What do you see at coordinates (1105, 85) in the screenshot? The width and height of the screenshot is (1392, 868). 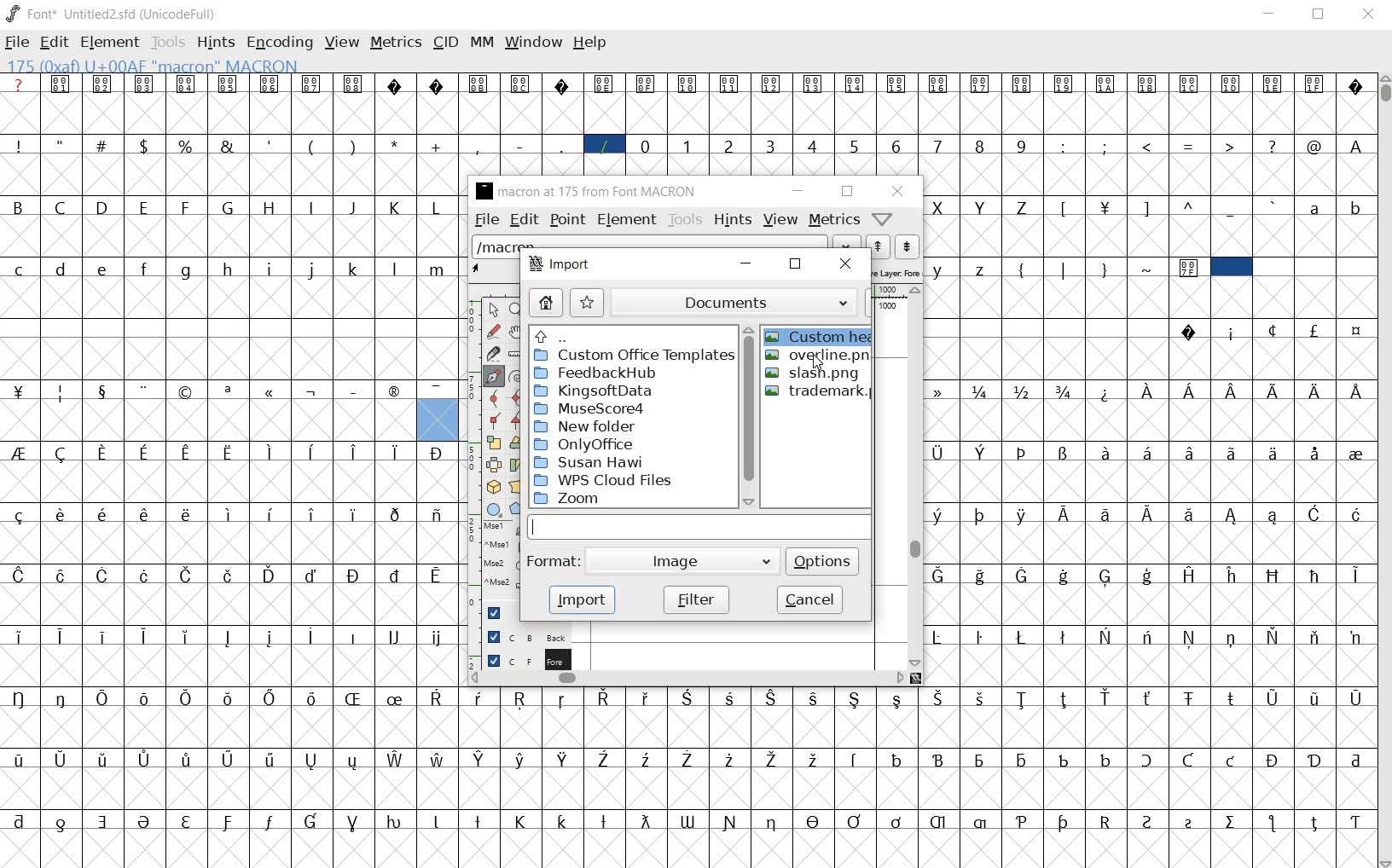 I see `Symbol` at bounding box center [1105, 85].